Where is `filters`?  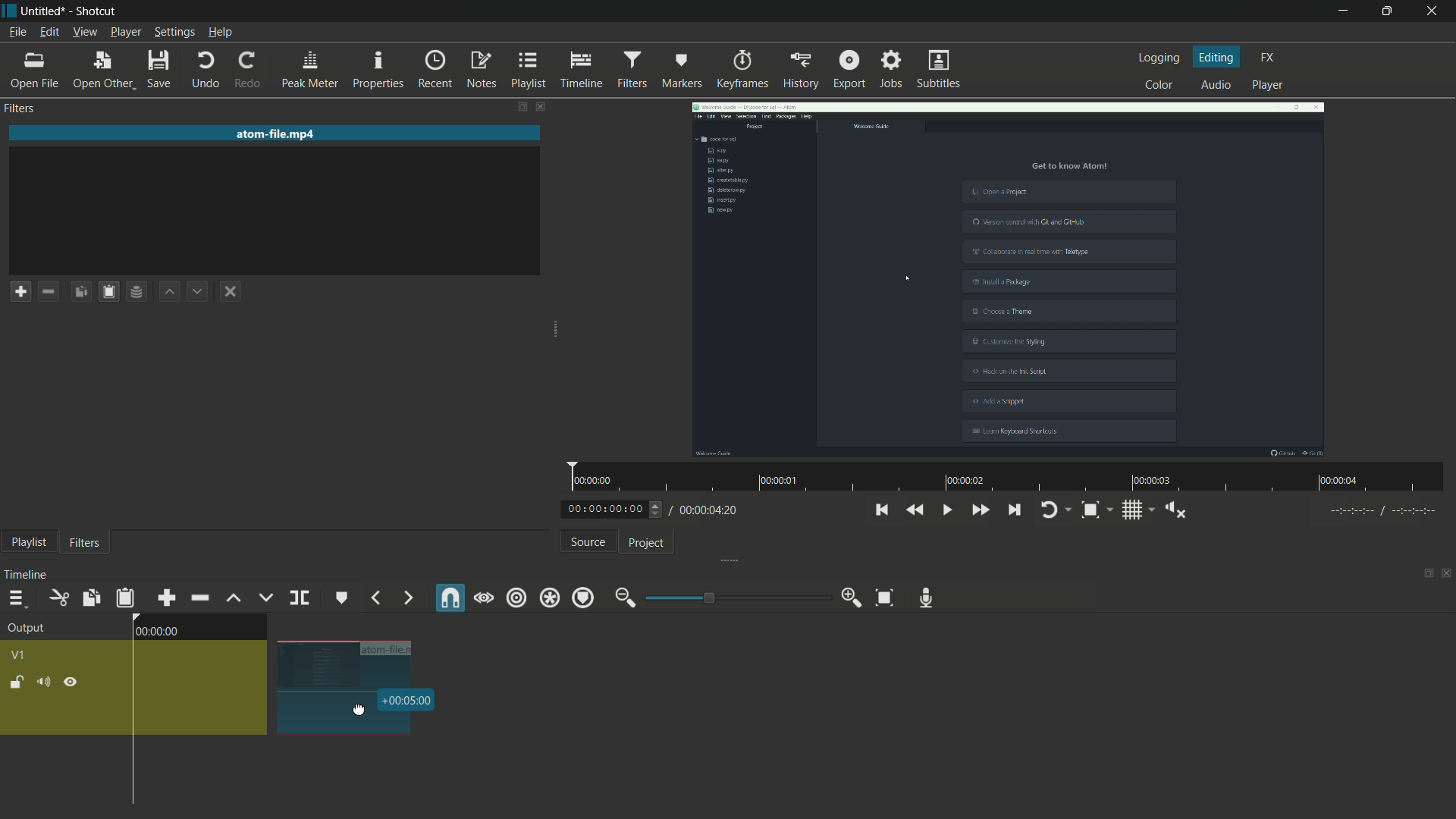 filters is located at coordinates (83, 543).